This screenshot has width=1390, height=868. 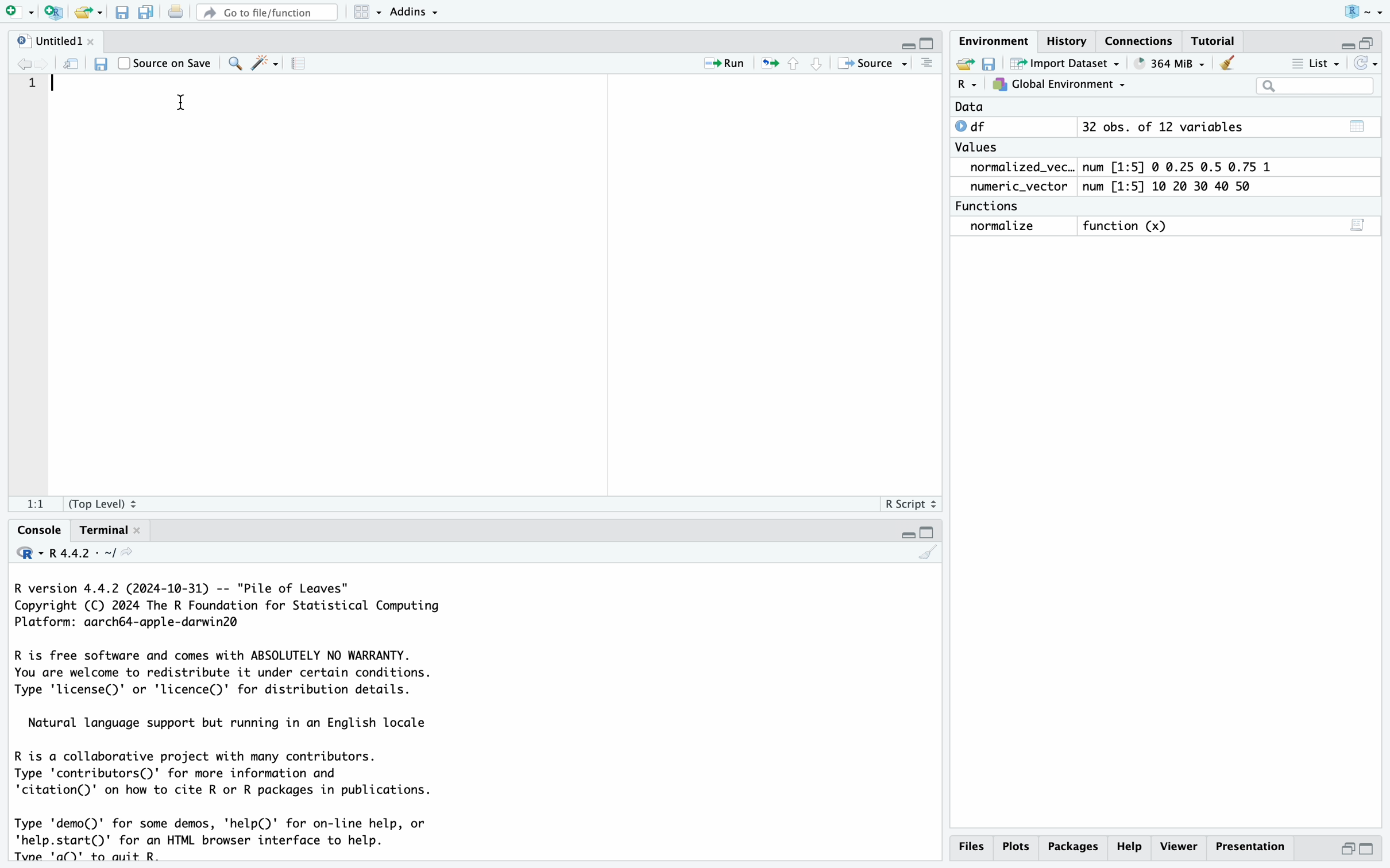 What do you see at coordinates (37, 529) in the screenshot?
I see `Console` at bounding box center [37, 529].